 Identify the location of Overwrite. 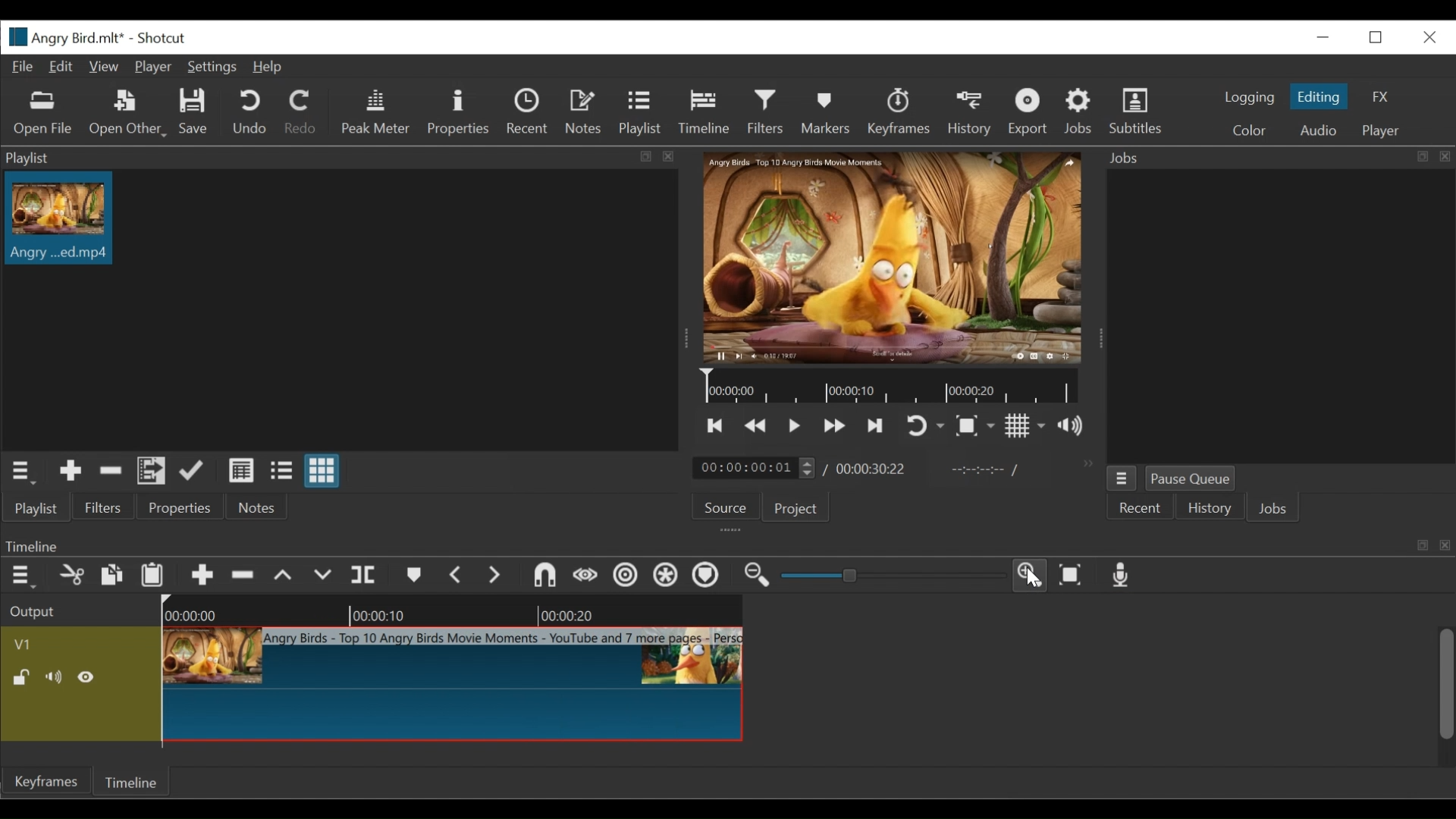
(321, 576).